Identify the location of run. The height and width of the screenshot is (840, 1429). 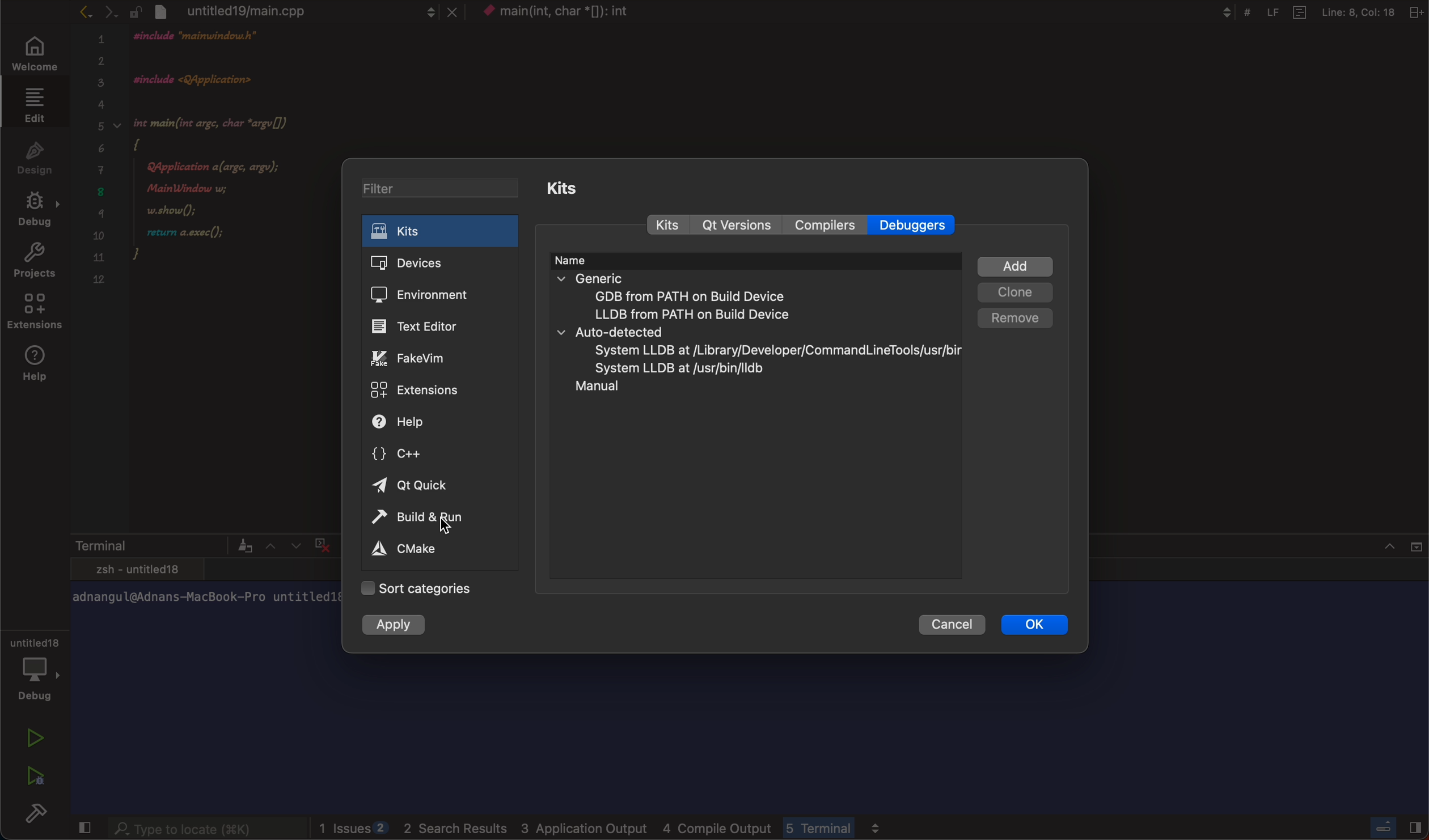
(35, 734).